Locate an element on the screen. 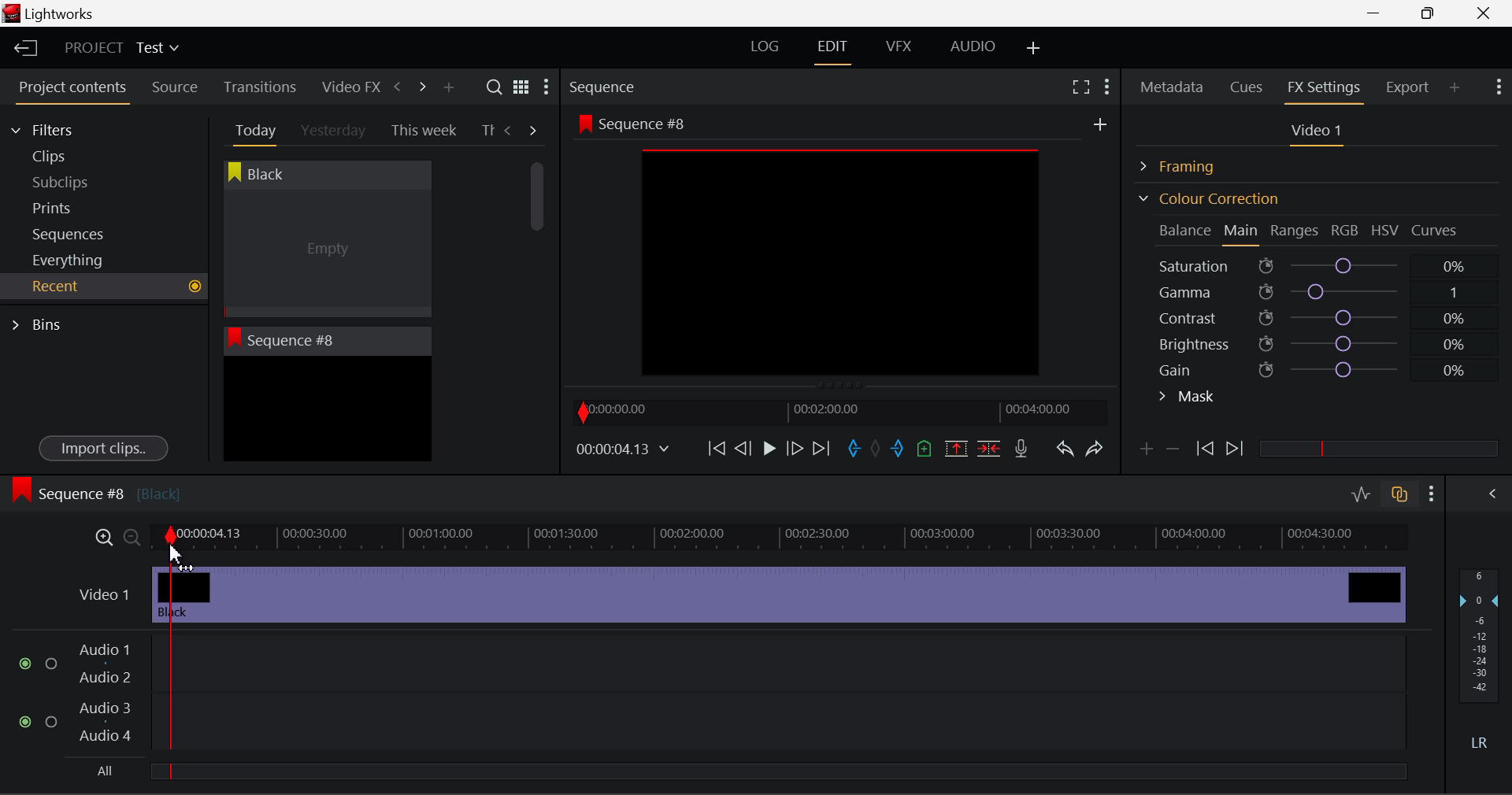  Project Title is located at coordinates (122, 49).